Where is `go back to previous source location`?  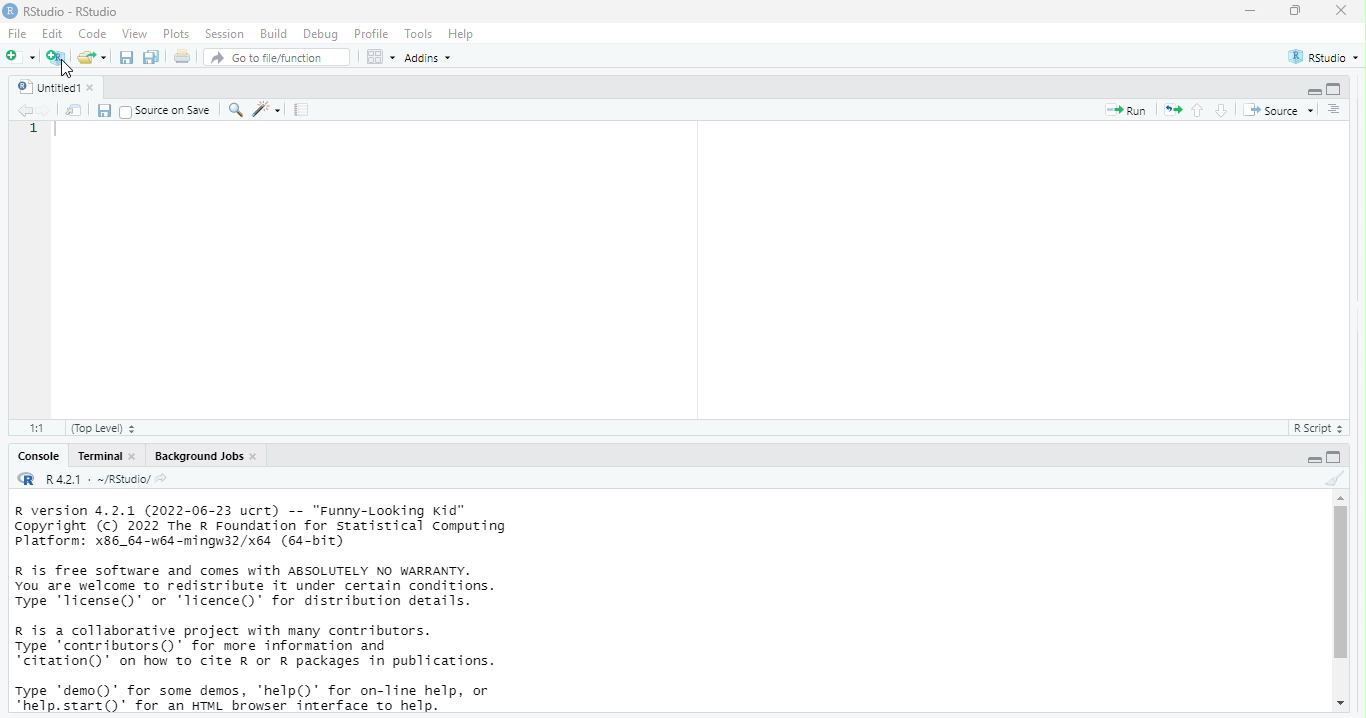 go back to previous source location is located at coordinates (18, 109).